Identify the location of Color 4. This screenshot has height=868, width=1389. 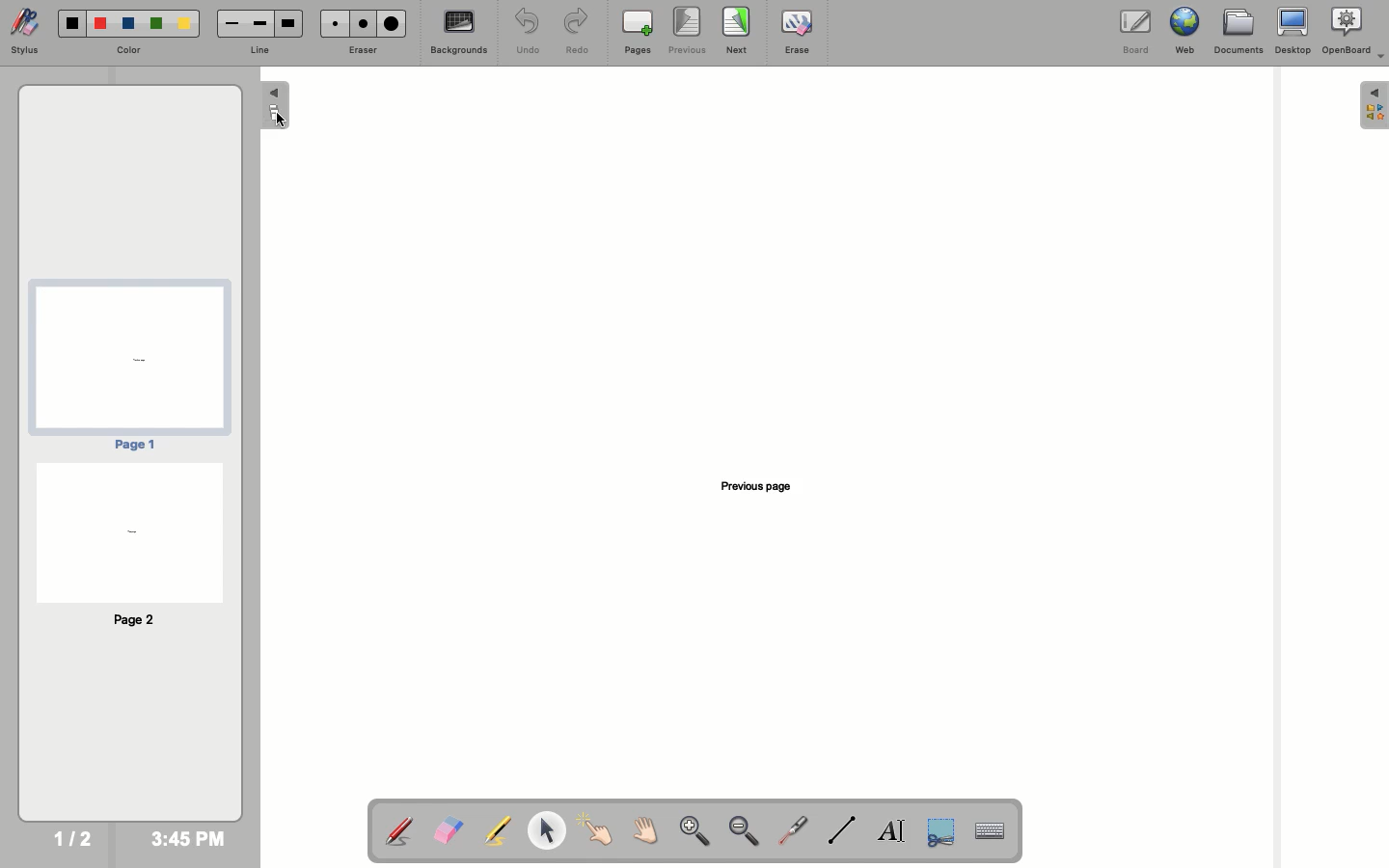
(156, 23).